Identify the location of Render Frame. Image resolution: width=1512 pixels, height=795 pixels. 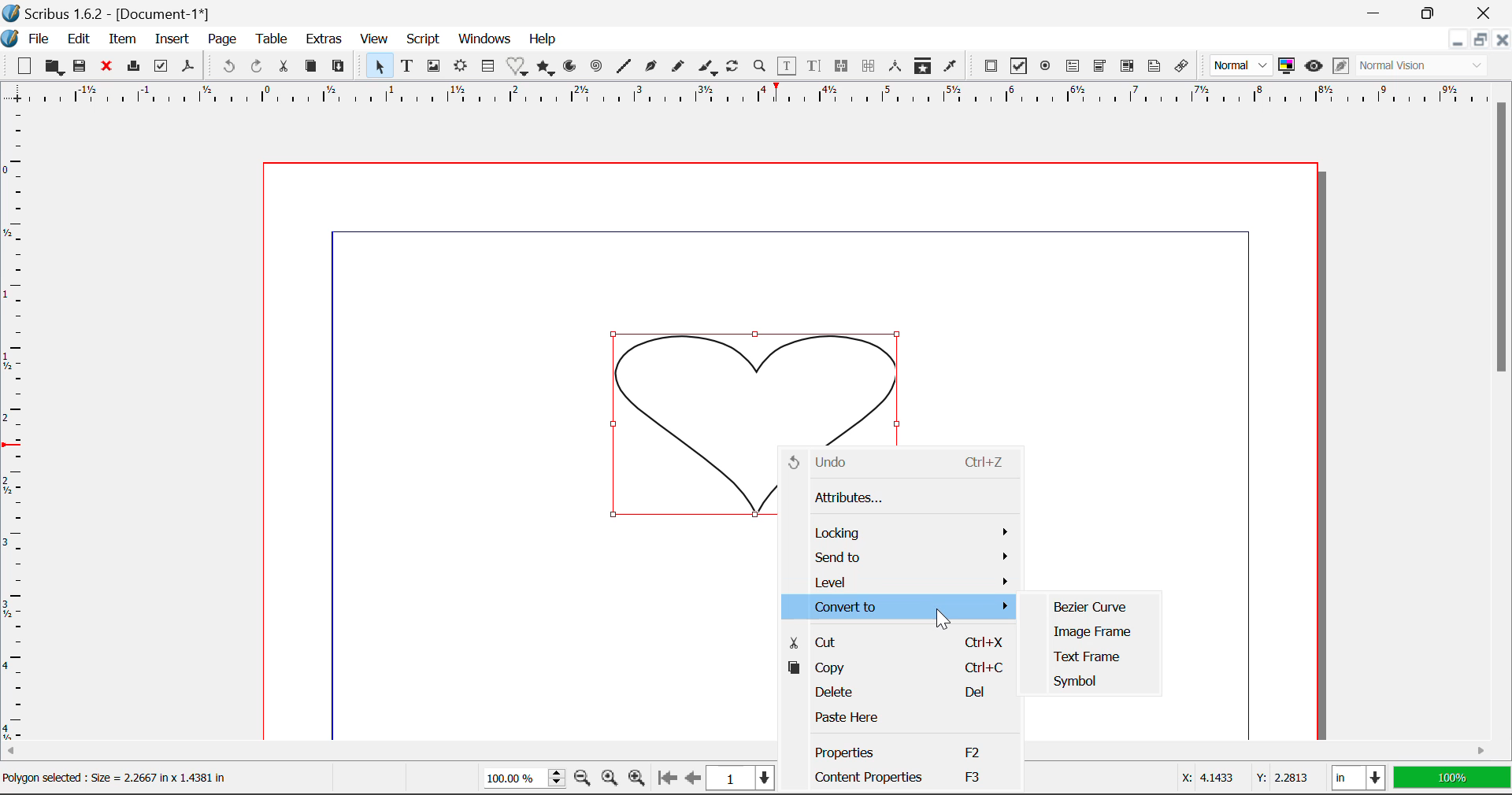
(461, 67).